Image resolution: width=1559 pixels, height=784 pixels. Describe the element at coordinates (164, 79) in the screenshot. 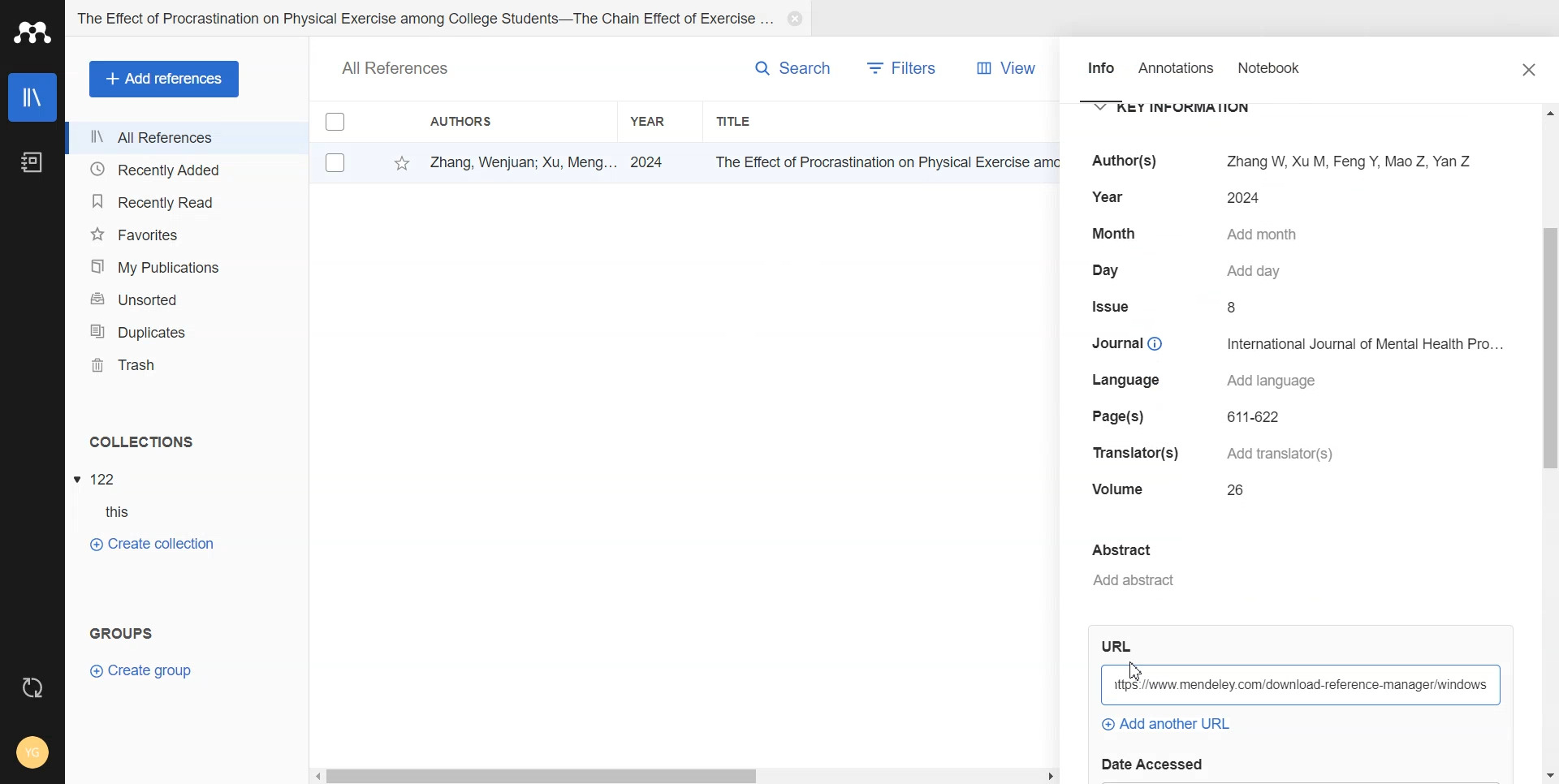

I see `Add Refrences` at that location.